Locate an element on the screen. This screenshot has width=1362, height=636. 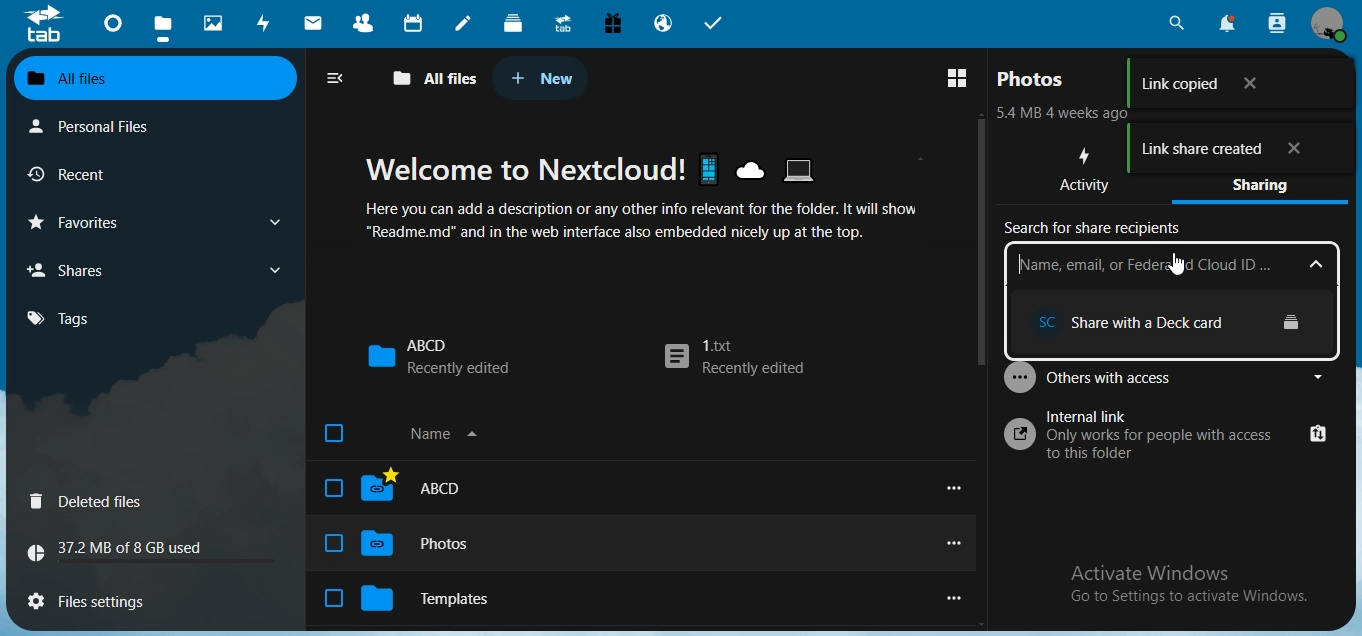
contacts is located at coordinates (369, 25).